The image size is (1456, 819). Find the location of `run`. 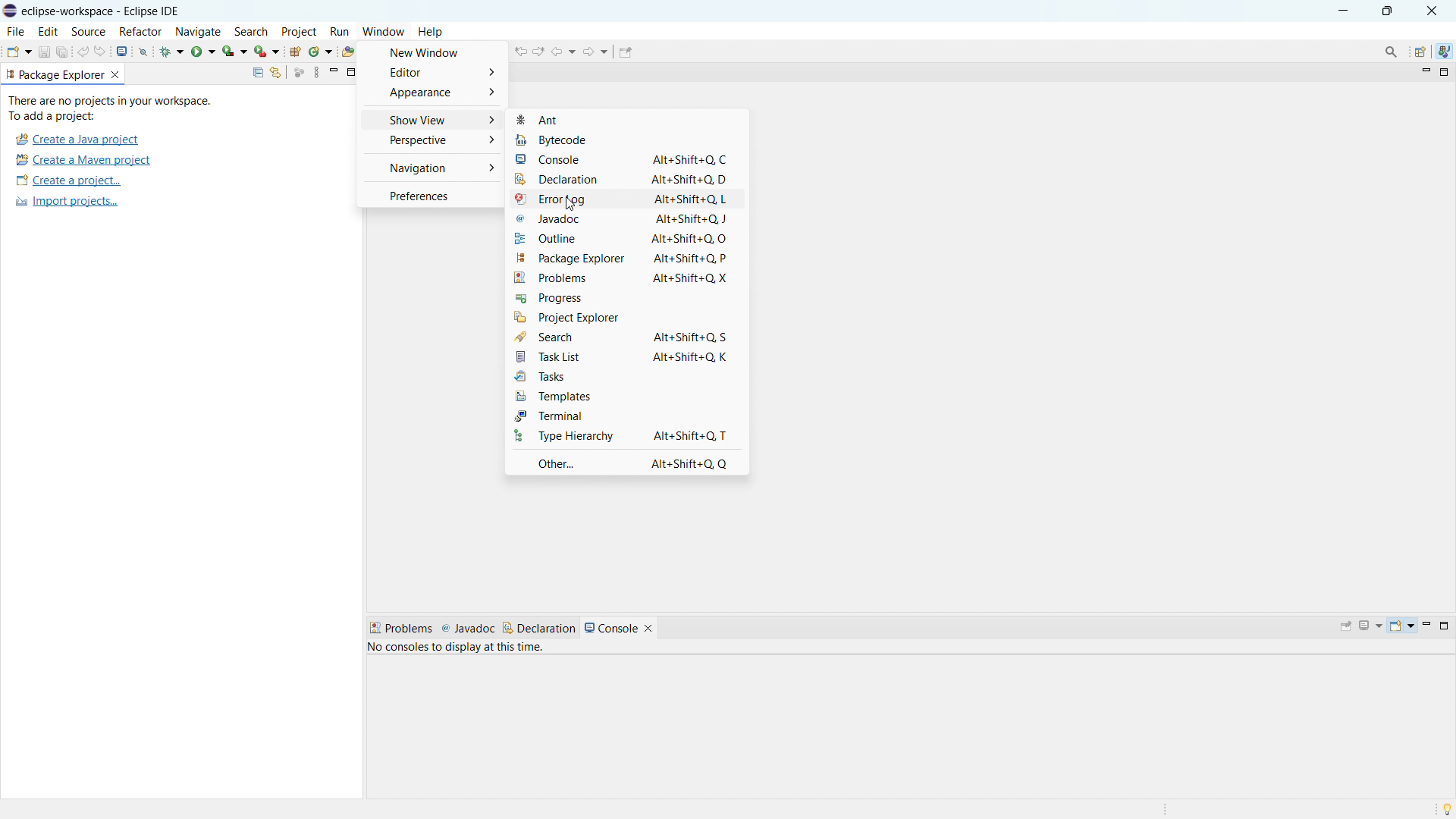

run is located at coordinates (339, 31).